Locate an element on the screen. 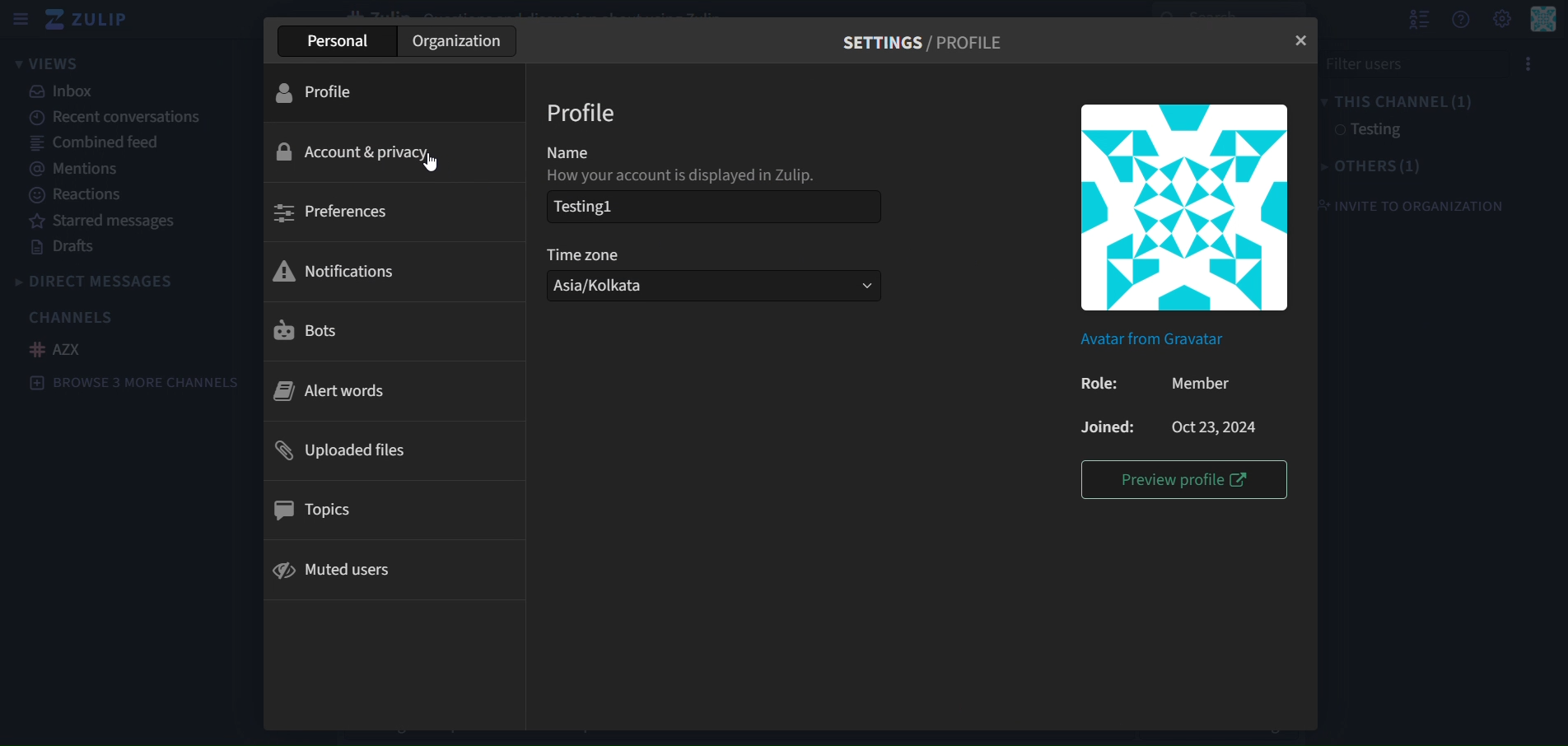 The width and height of the screenshot is (1568, 746). filter users is located at coordinates (1396, 63).